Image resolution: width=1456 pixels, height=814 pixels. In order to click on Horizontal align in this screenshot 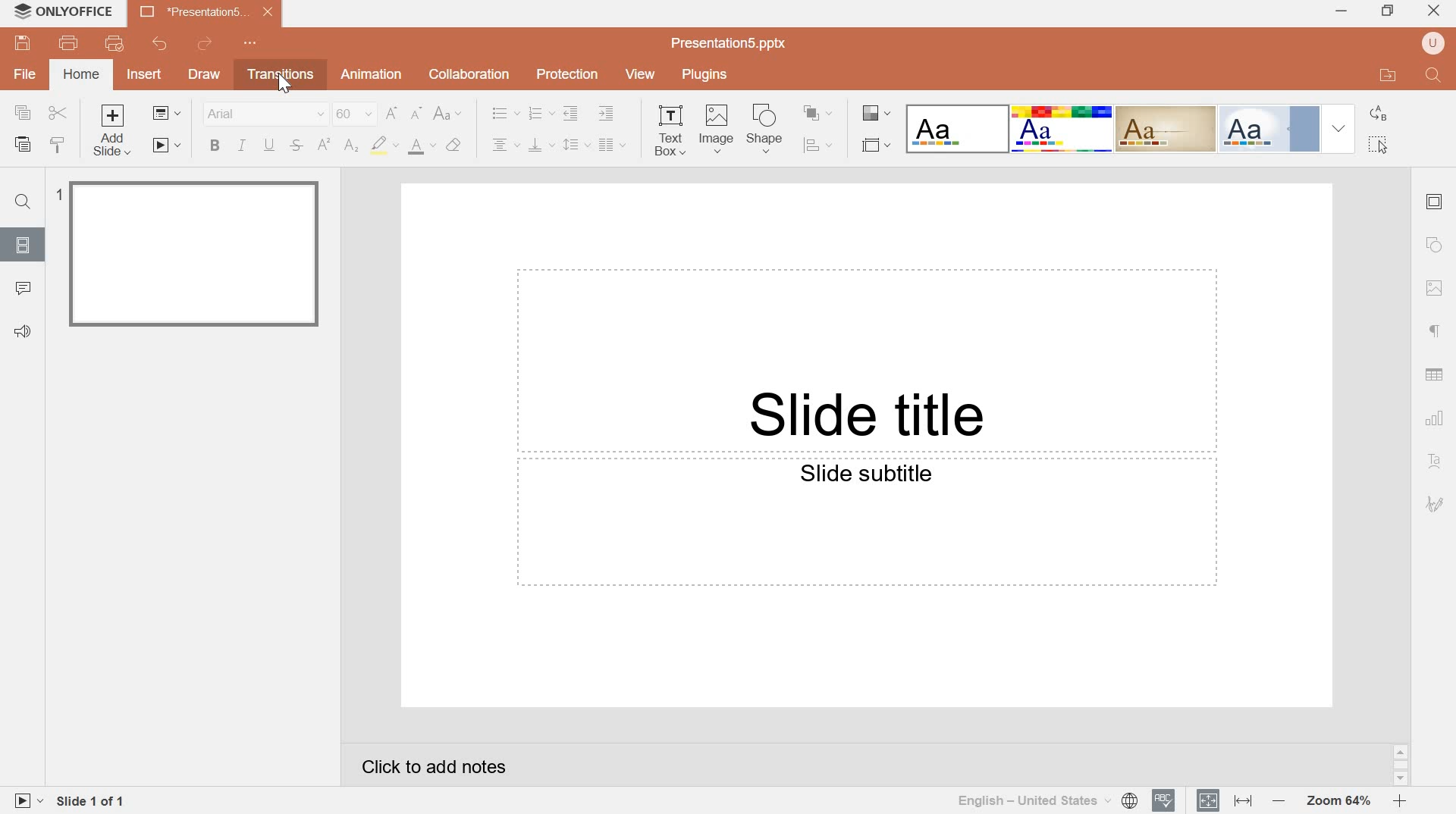, I will do `click(500, 143)`.